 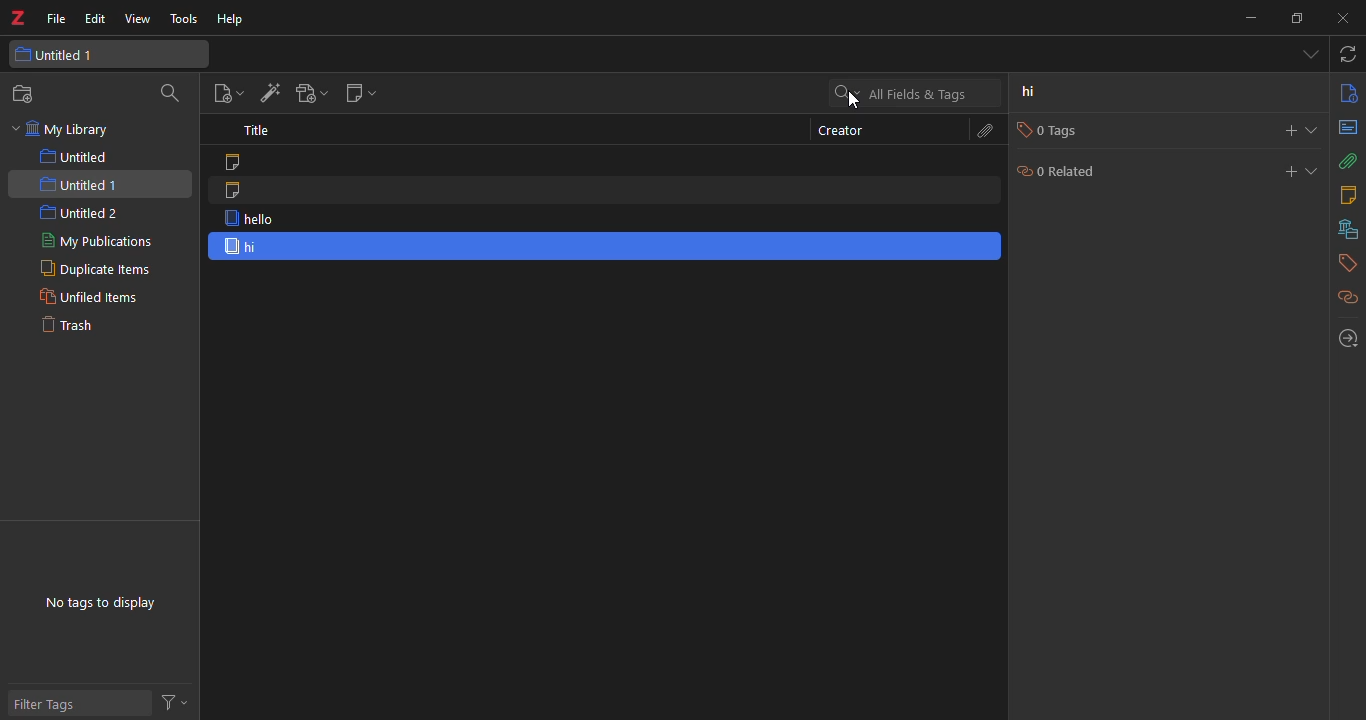 I want to click on untitled 1, so click(x=63, y=55).